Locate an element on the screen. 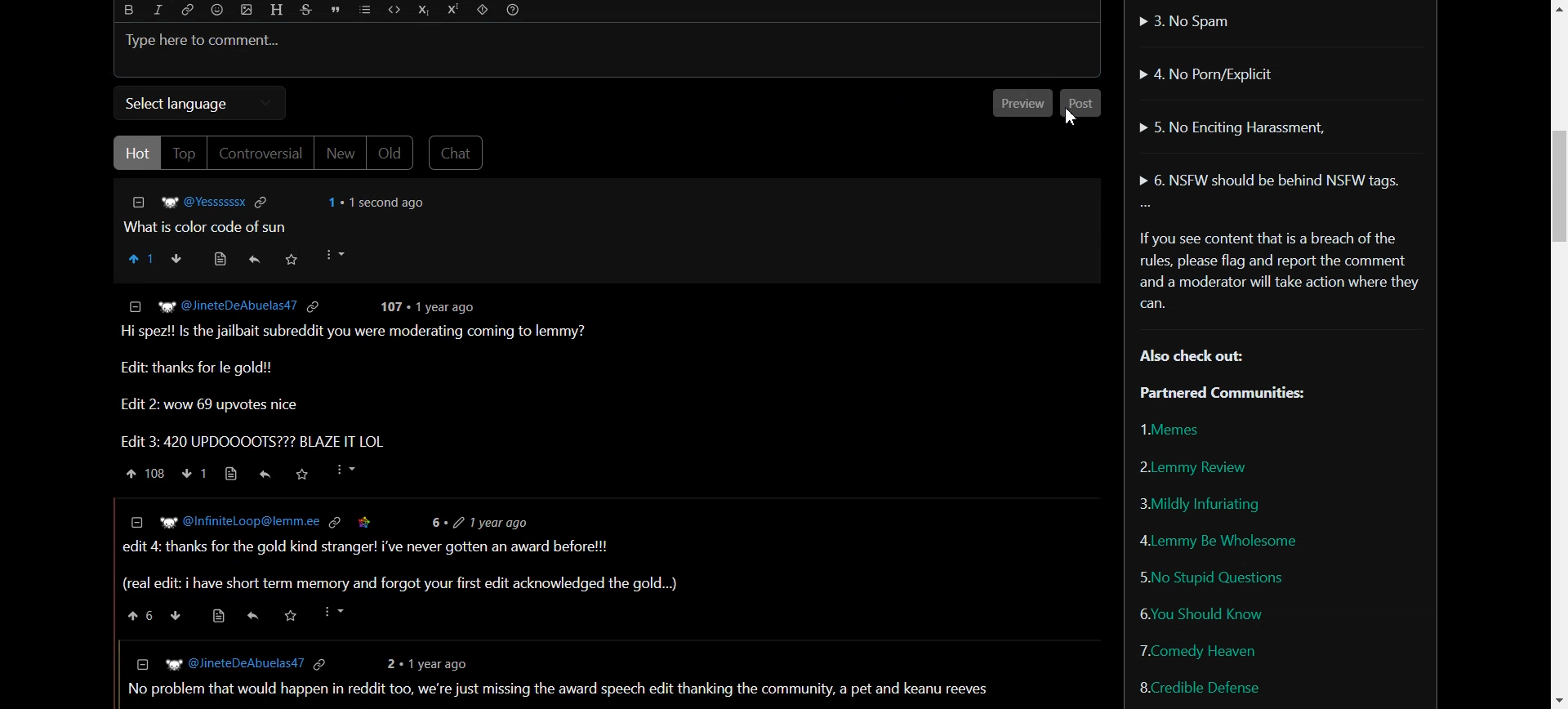 Image resolution: width=1568 pixels, height=709 pixels. @VYessssssx @ is located at coordinates (216, 201).